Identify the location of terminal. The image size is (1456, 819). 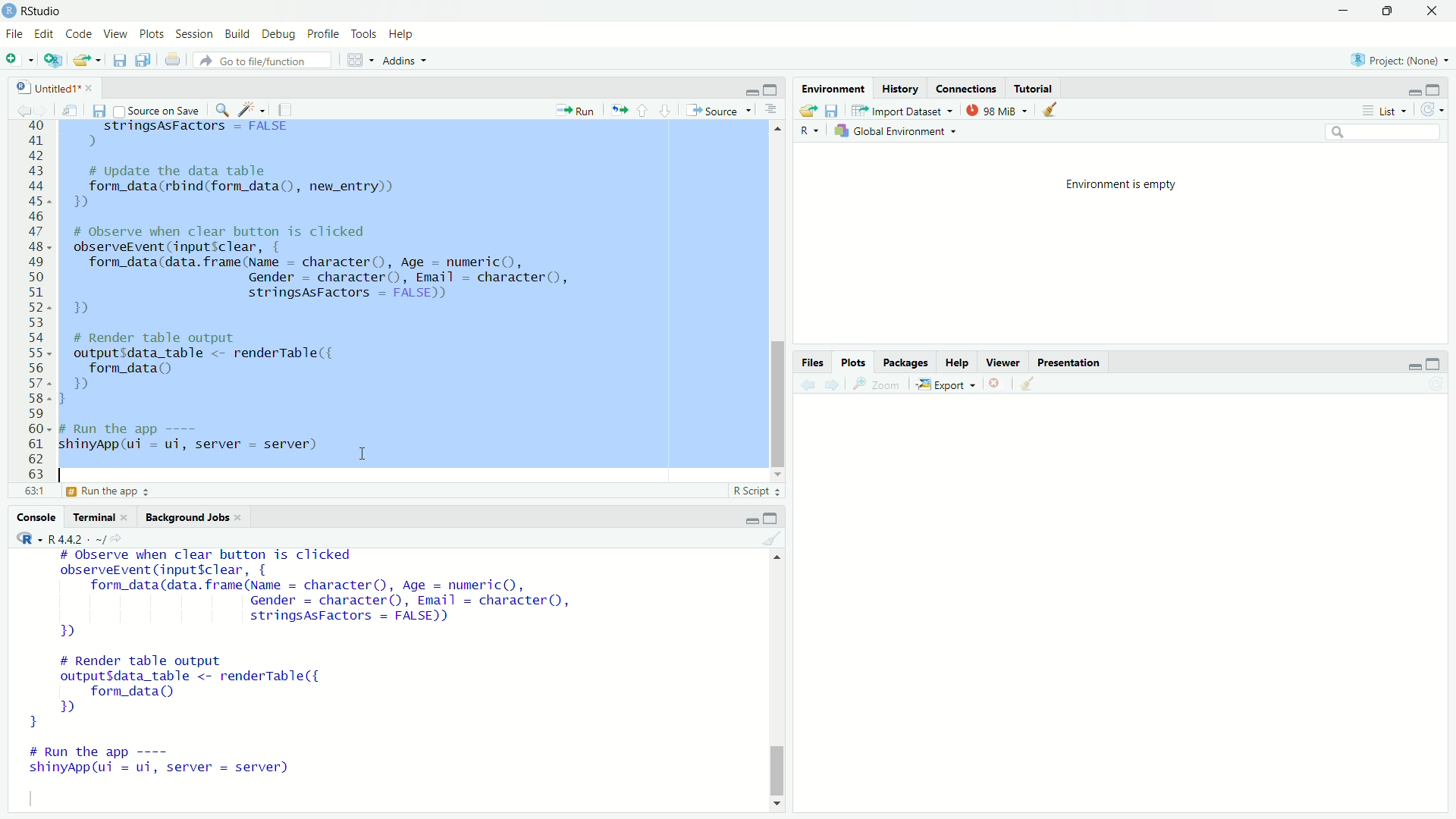
(93, 517).